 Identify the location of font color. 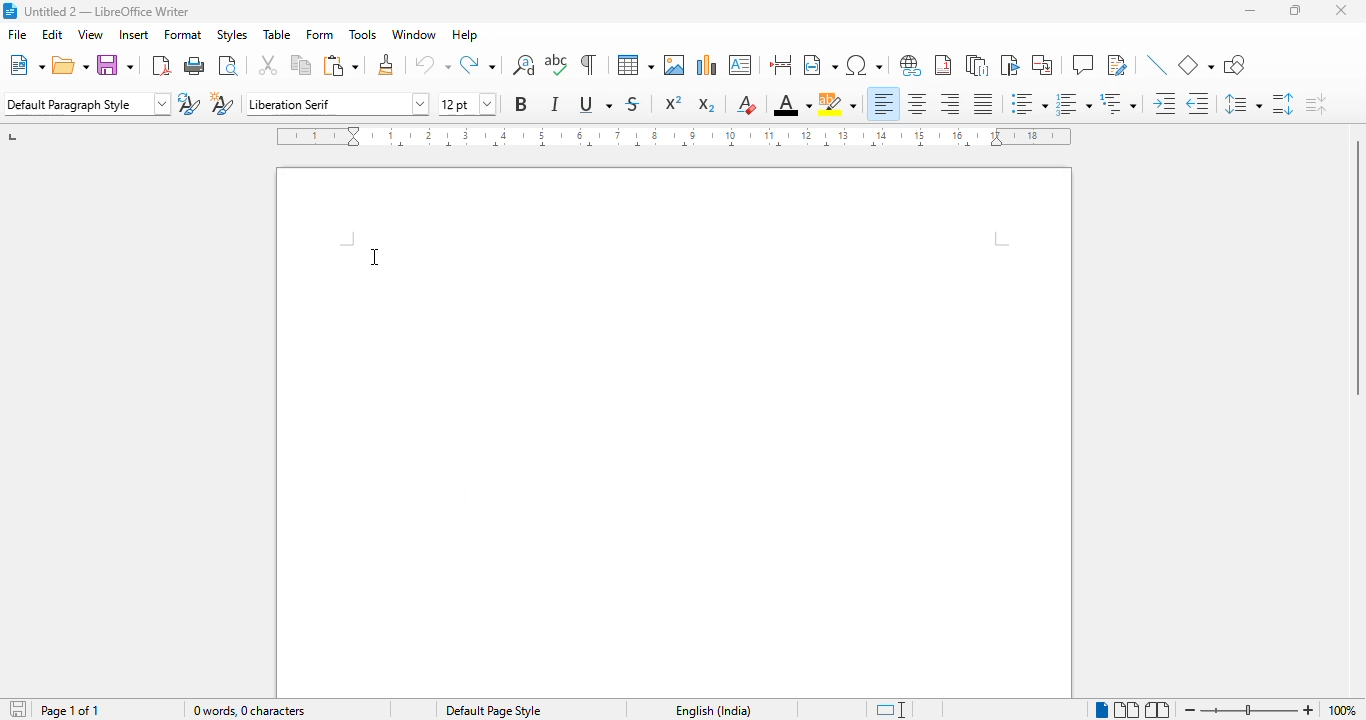
(792, 104).